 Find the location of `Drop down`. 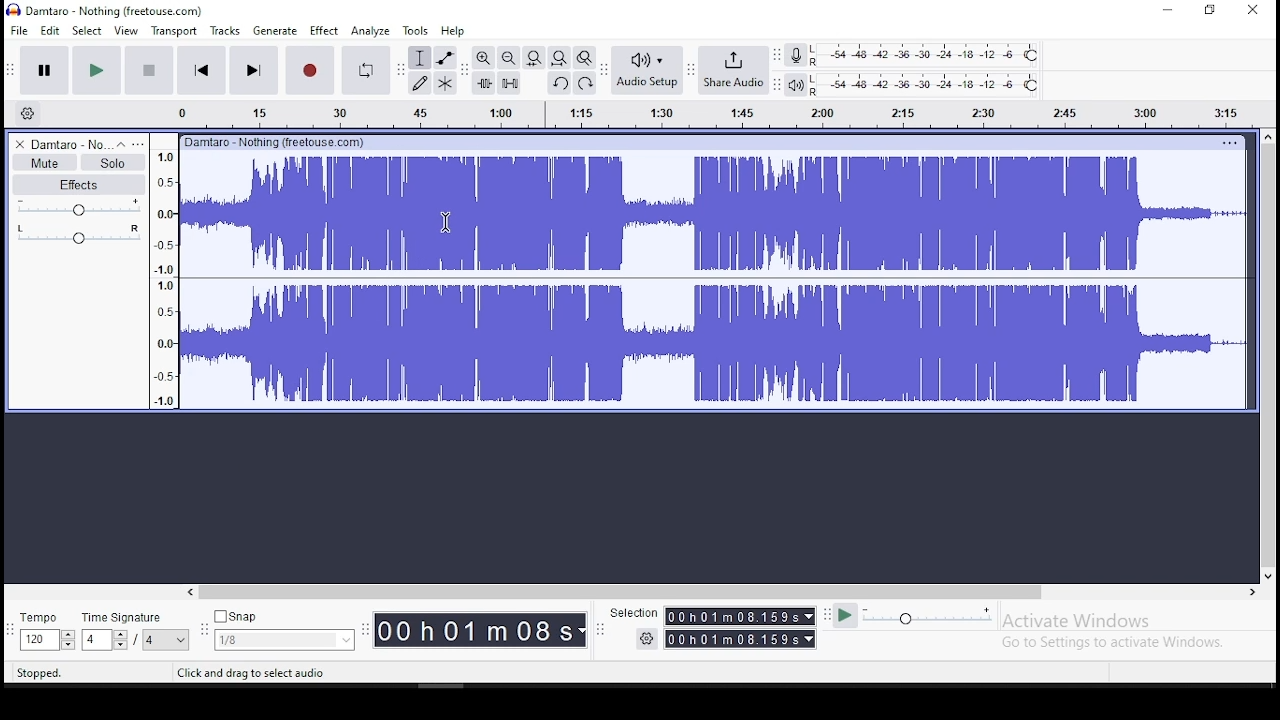

Drop down is located at coordinates (67, 641).